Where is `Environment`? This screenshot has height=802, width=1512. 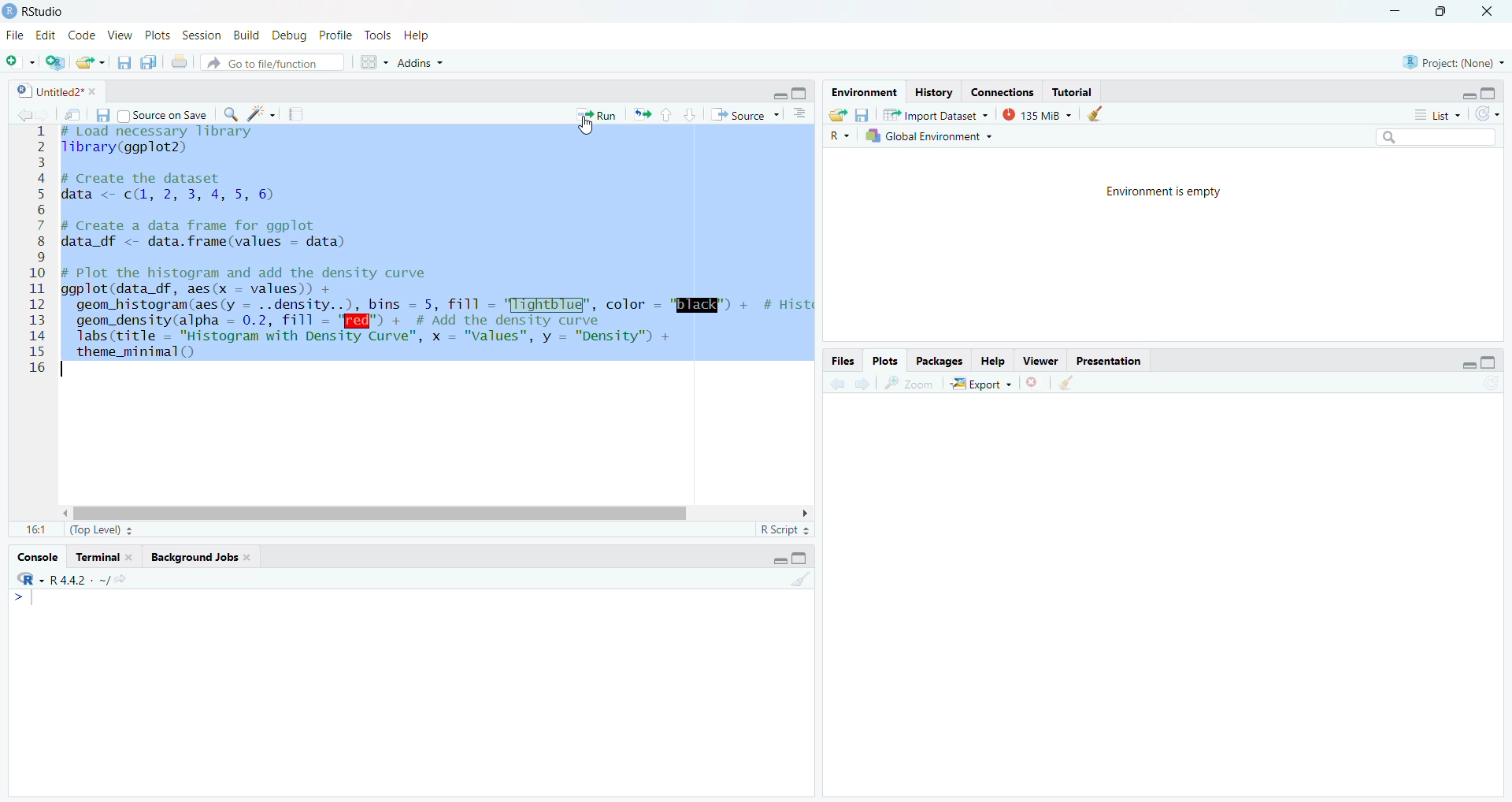
Environment is located at coordinates (864, 91).